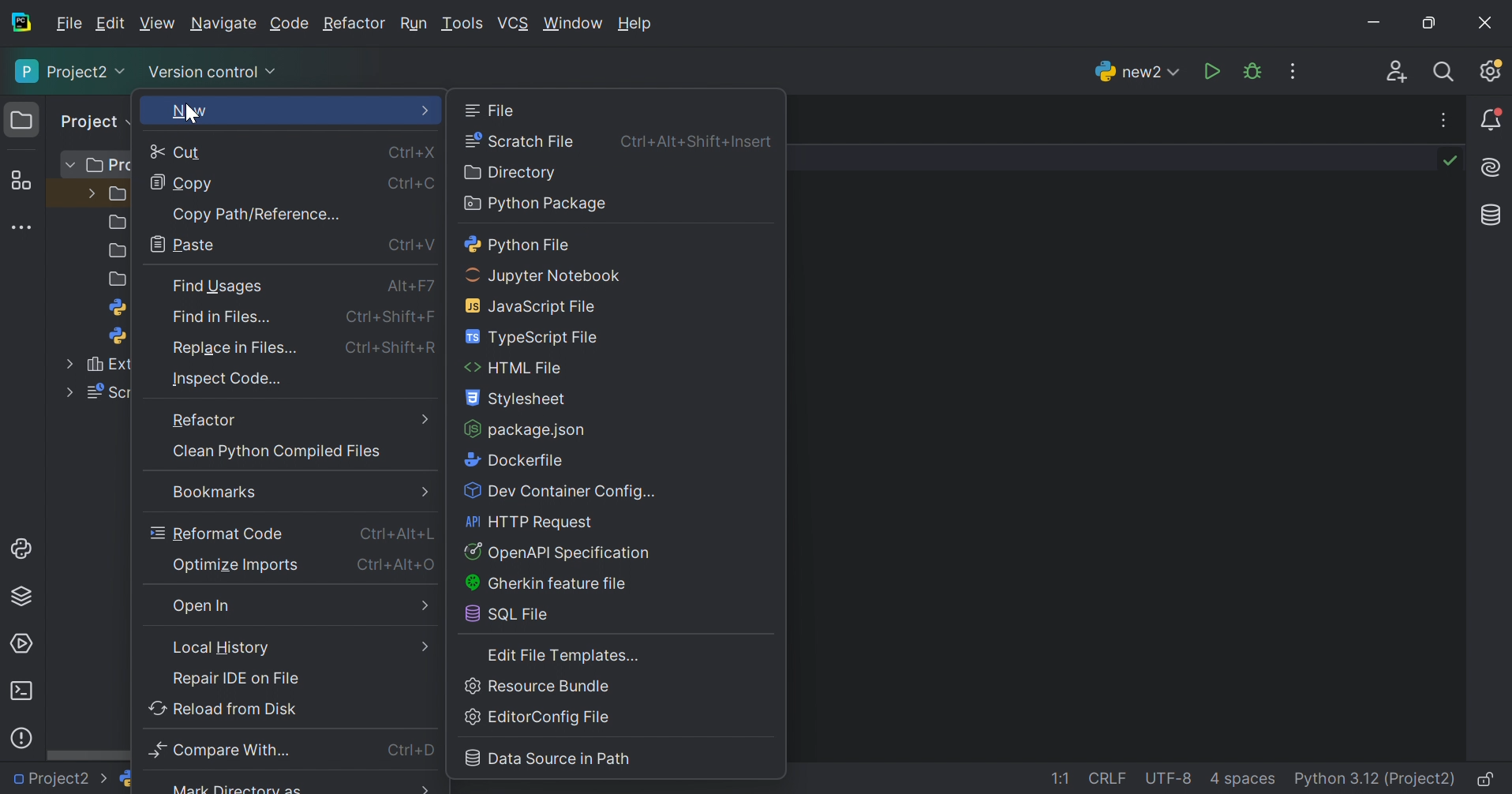 The image size is (1512, 794). Describe the element at coordinates (1065, 780) in the screenshot. I see `1:1` at that location.